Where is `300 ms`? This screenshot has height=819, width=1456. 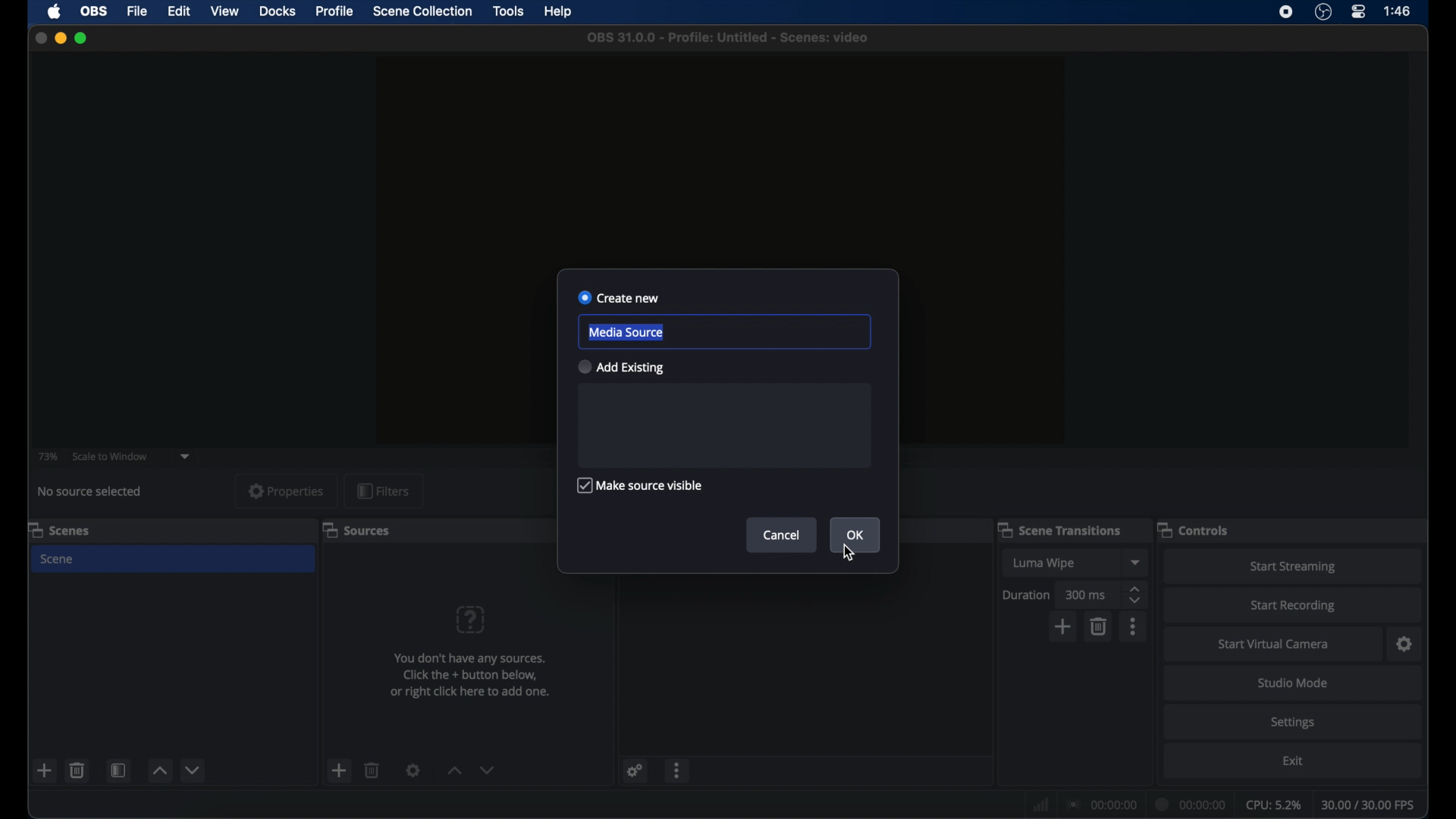 300 ms is located at coordinates (1086, 595).